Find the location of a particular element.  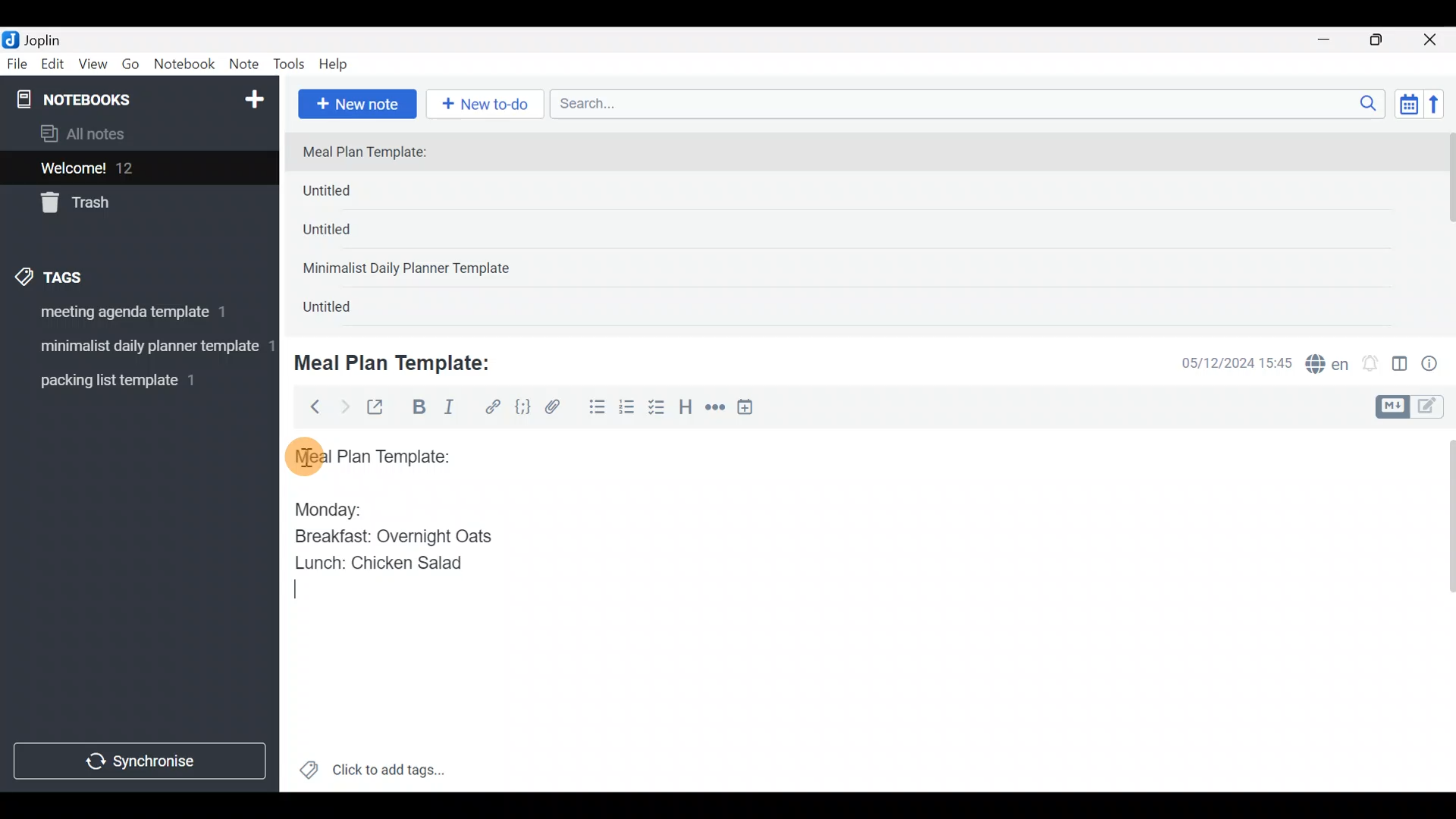

Meal plan template is located at coordinates (367, 454).